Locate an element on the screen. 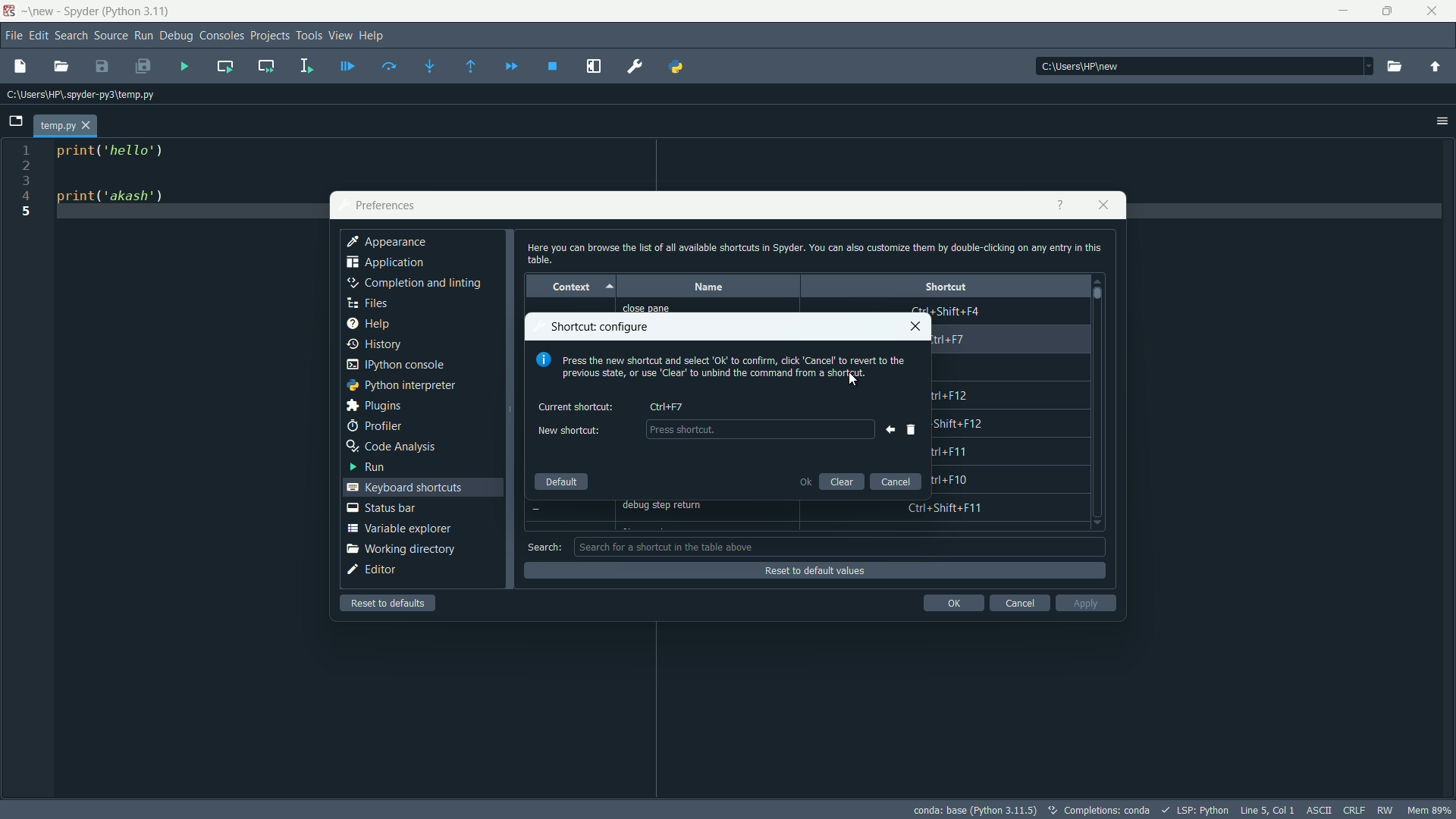  debug setup return is located at coordinates (670, 507).